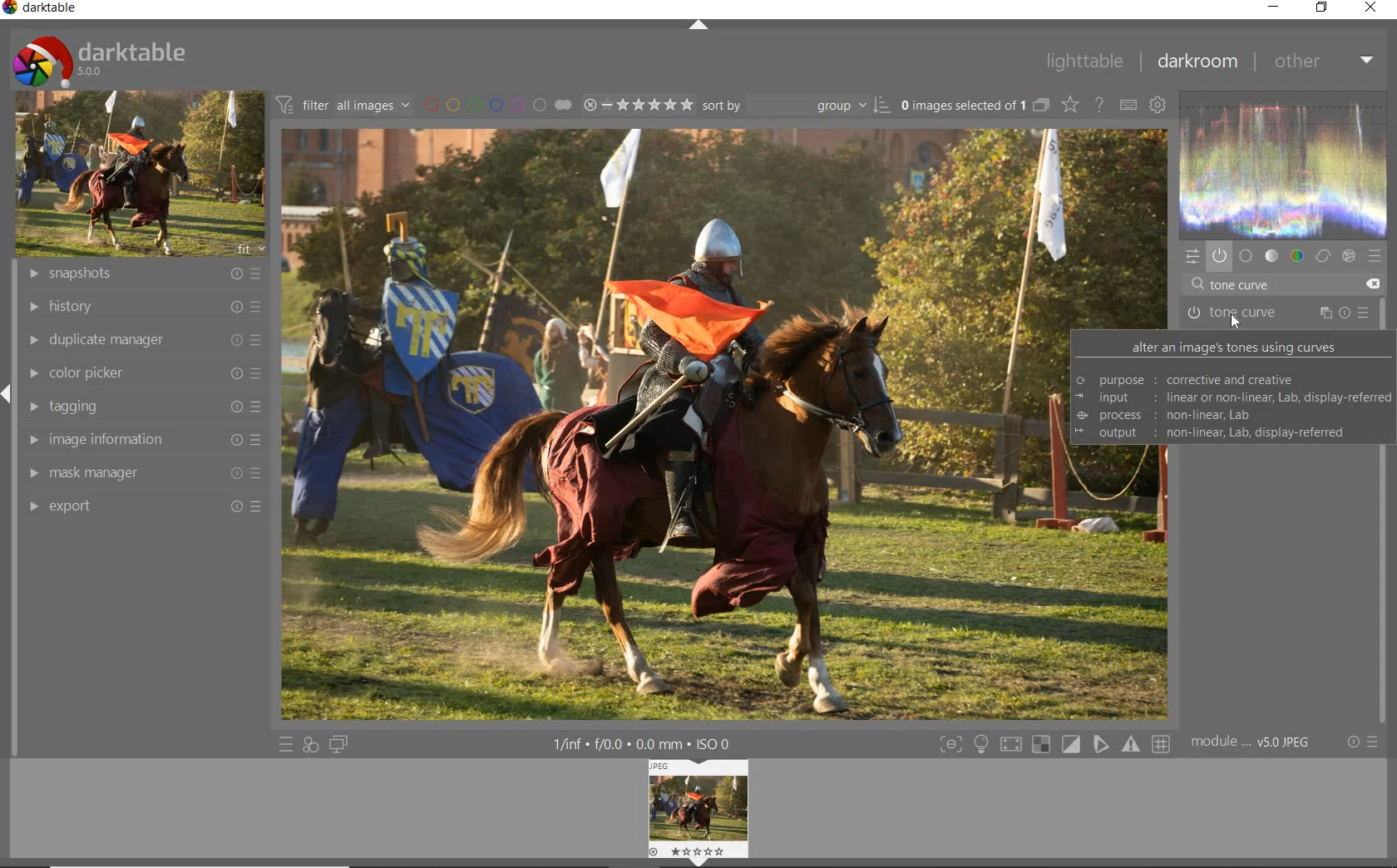  I want to click on waveform, so click(1284, 163).